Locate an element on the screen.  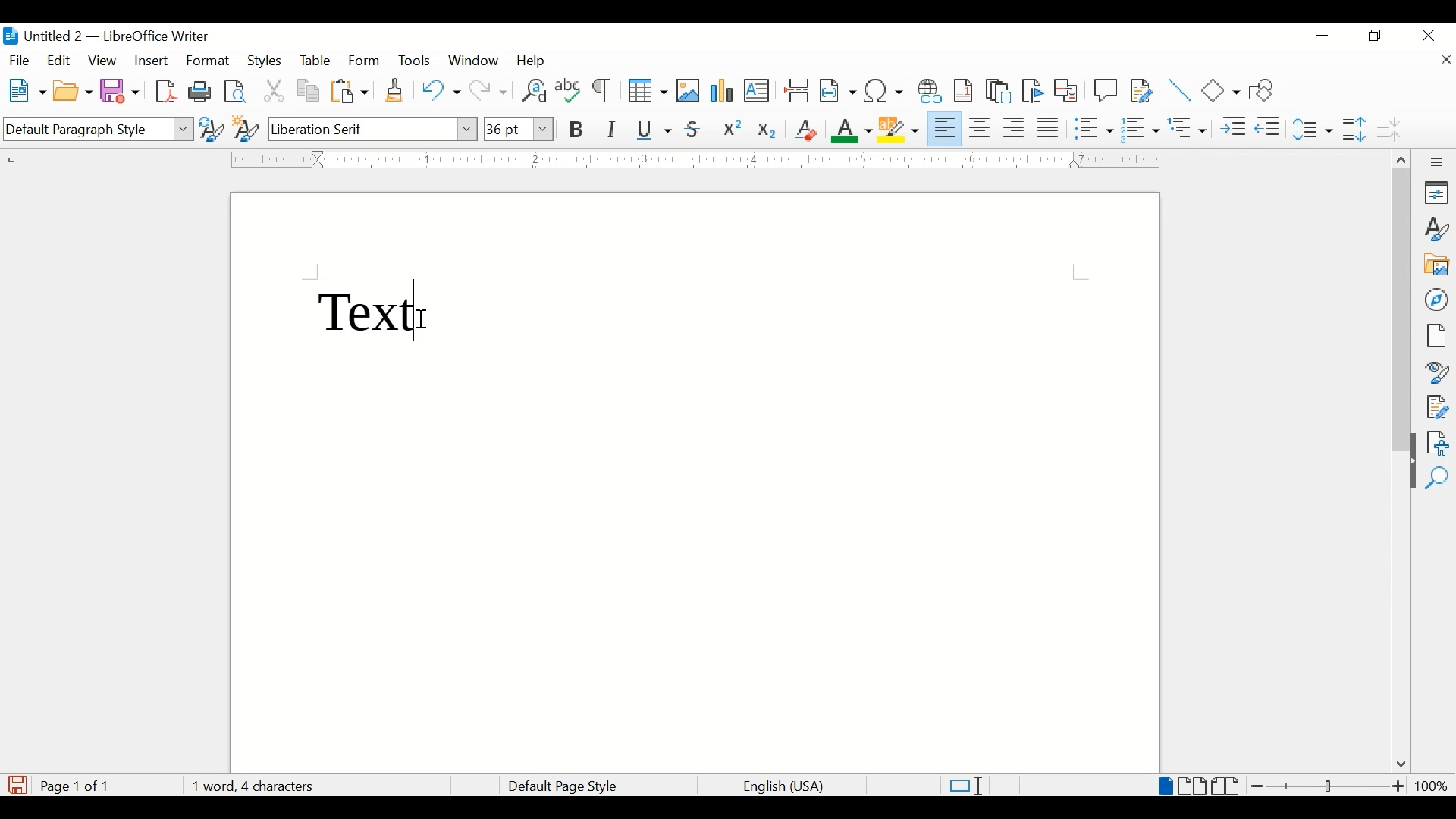
restore down is located at coordinates (1376, 36).